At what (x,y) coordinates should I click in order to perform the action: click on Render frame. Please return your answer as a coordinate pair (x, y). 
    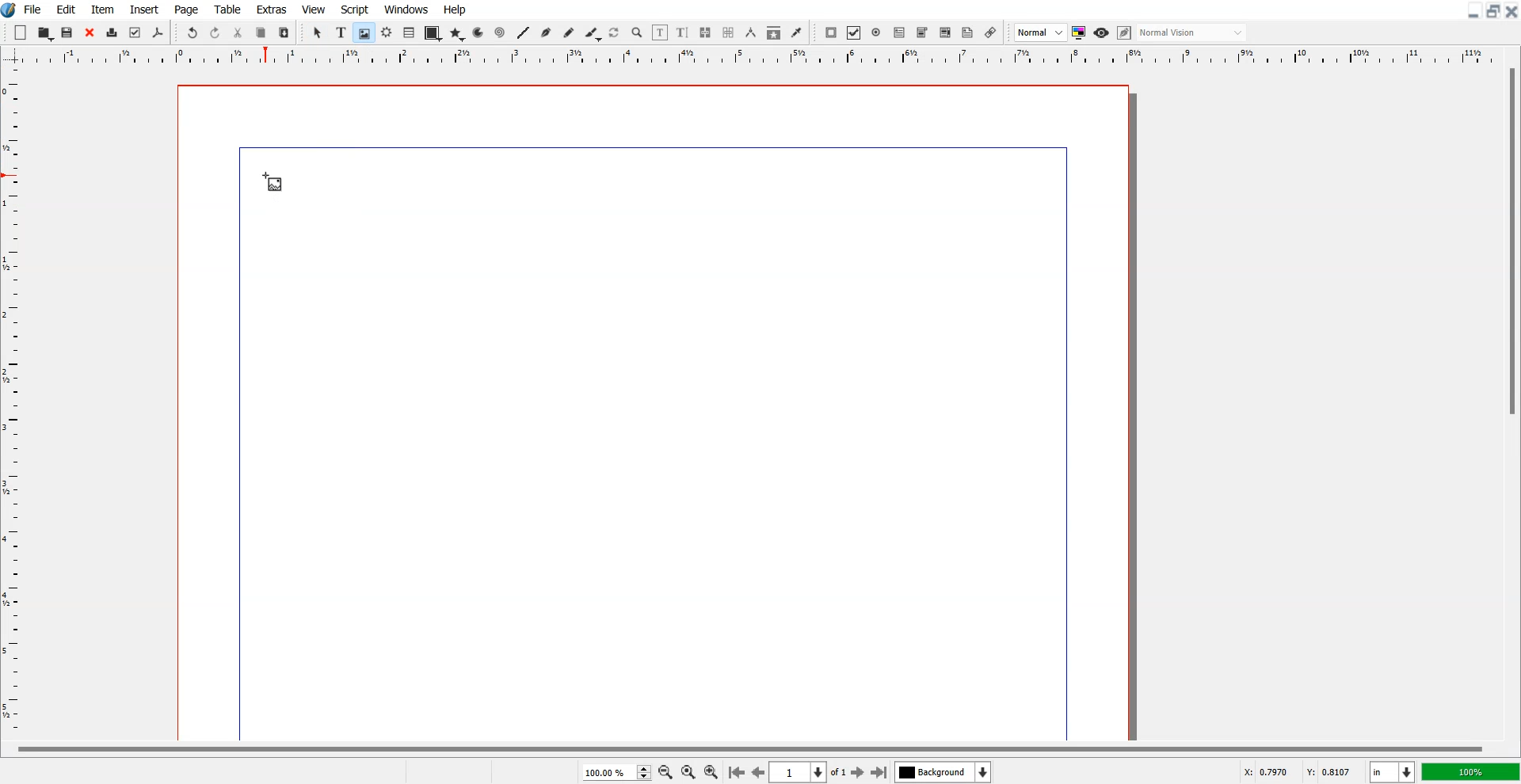
    Looking at the image, I should click on (387, 32).